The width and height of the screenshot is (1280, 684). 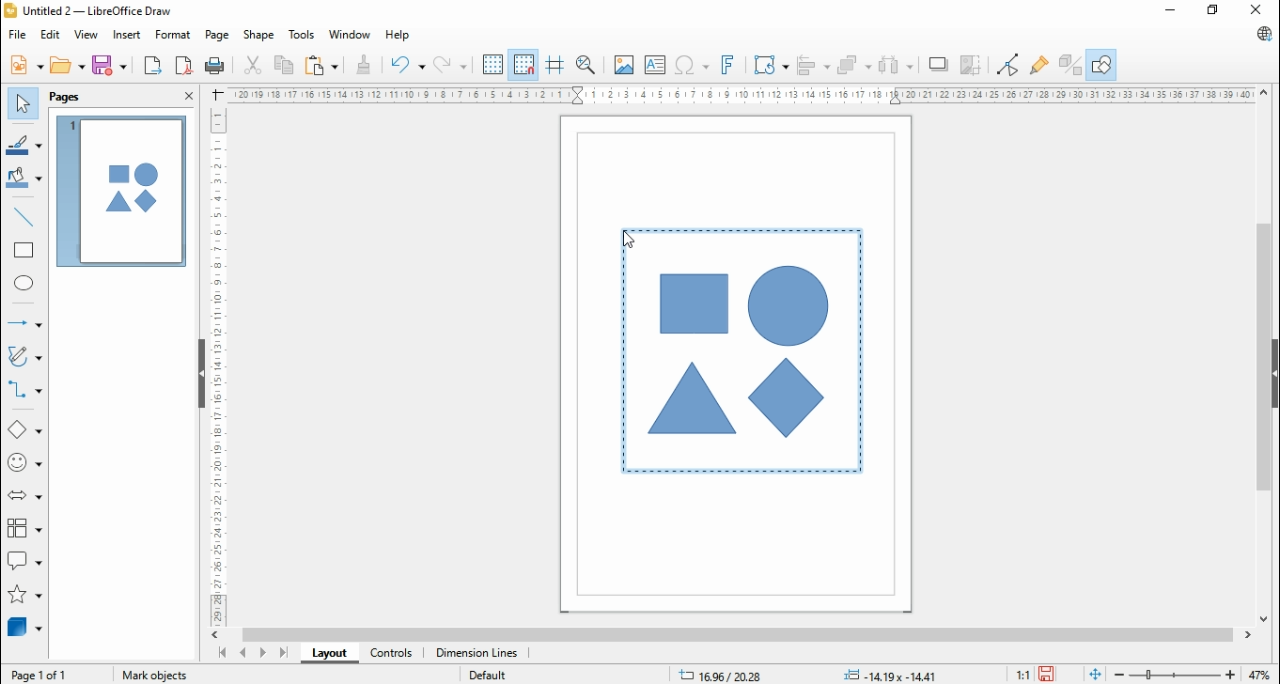 I want to click on transformation, so click(x=771, y=64).